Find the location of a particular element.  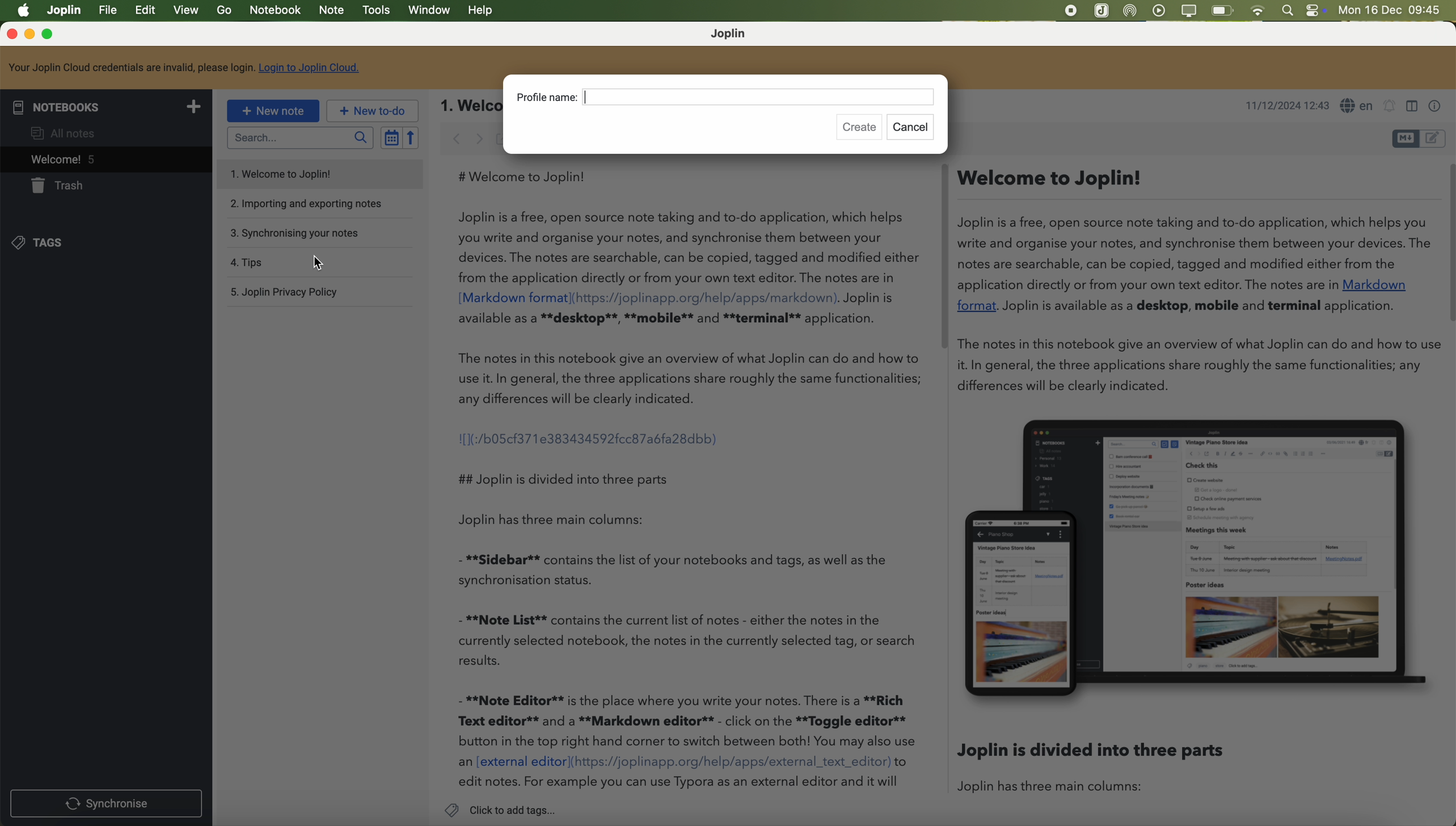

- **Note Editor** is the place where you write your notes. There is a **Rich
Text editor** and a **Markdown editor** - click on the **Toggle editor**
button in the top right hand corner to switch between both! You may also use is located at coordinates (687, 720).